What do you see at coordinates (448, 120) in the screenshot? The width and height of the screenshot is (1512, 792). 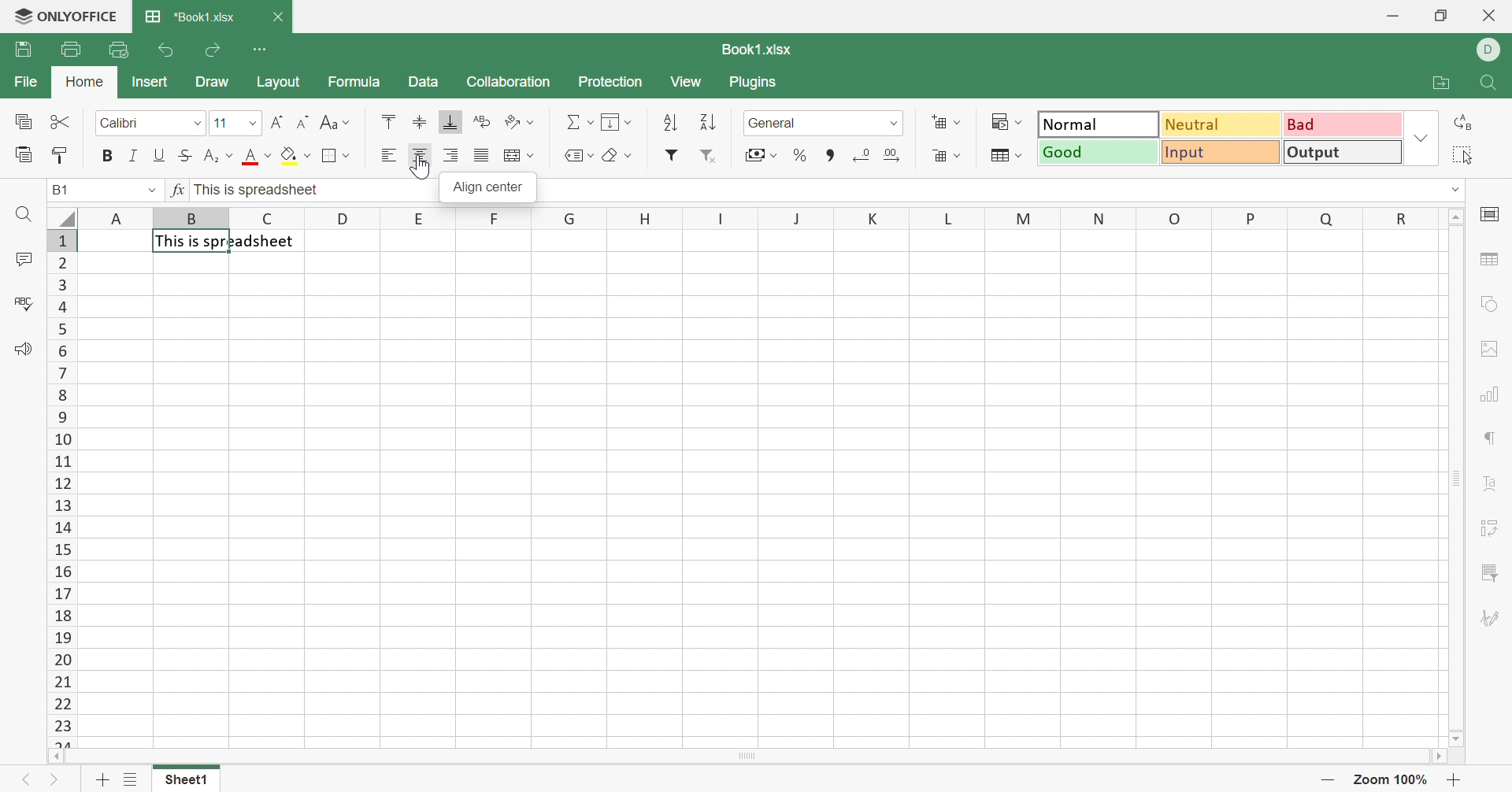 I see `Align Bottom` at bounding box center [448, 120].